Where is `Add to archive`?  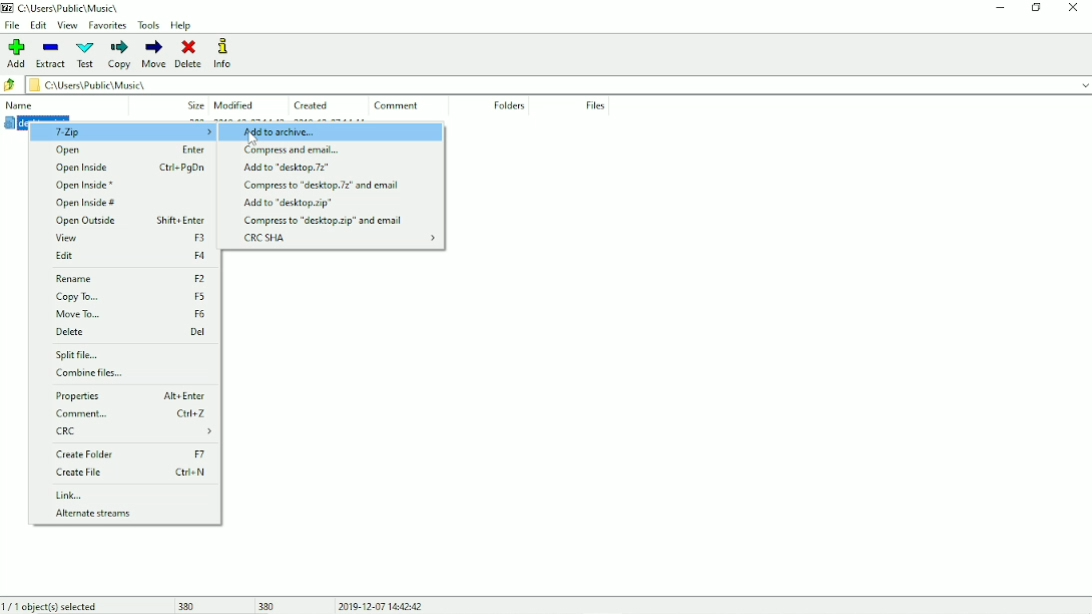 Add to archive is located at coordinates (279, 134).